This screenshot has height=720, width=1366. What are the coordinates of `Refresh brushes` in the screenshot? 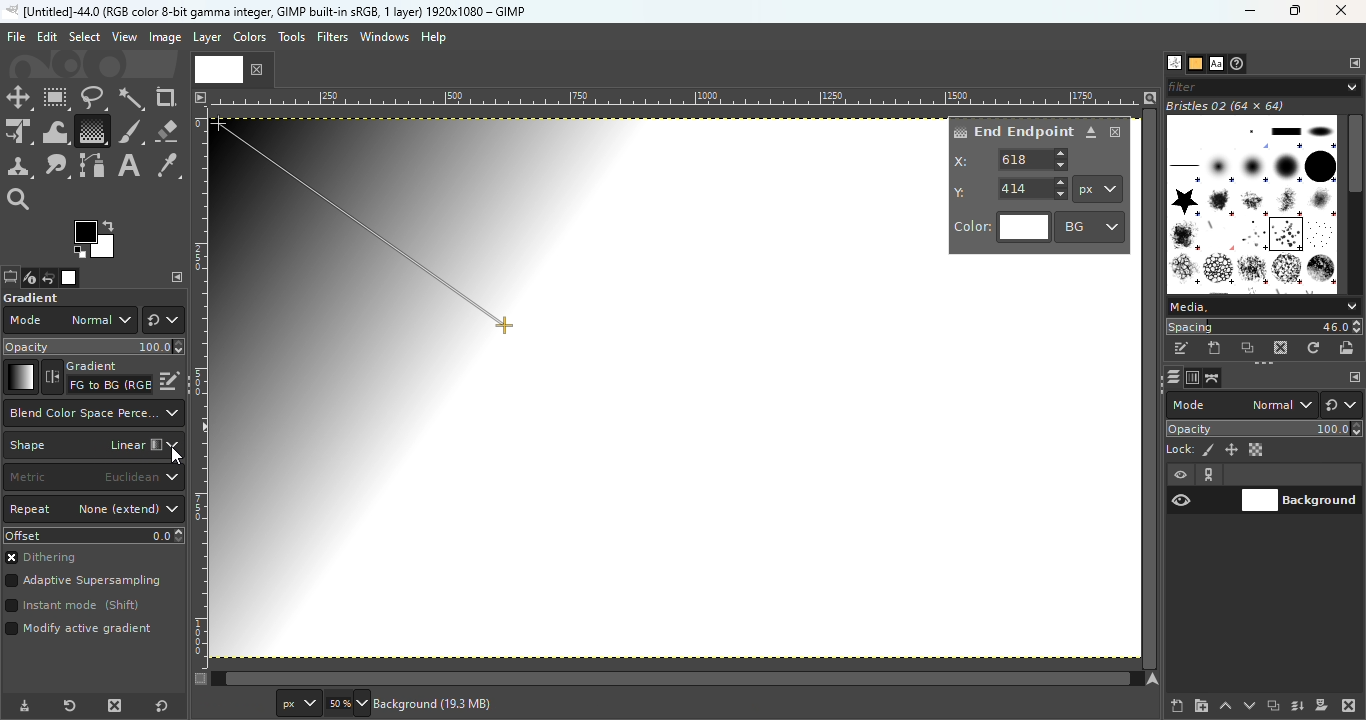 It's located at (1314, 348).